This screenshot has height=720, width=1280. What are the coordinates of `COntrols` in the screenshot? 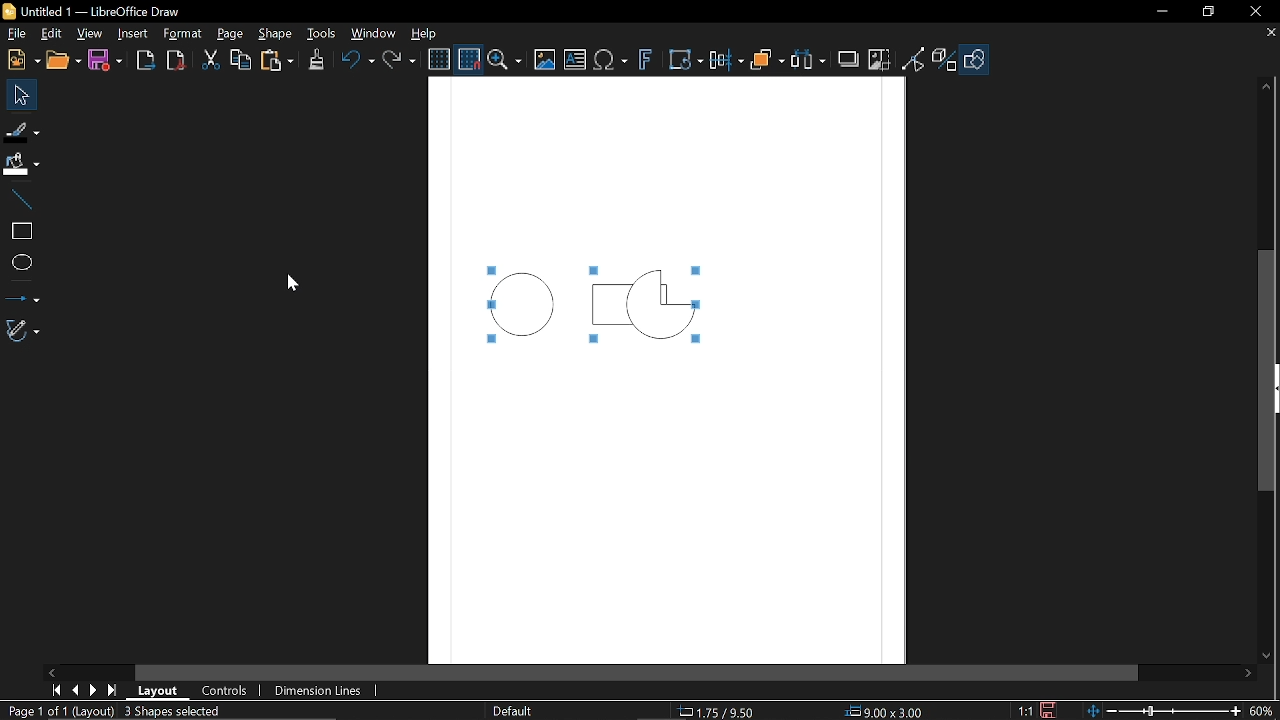 It's located at (230, 691).